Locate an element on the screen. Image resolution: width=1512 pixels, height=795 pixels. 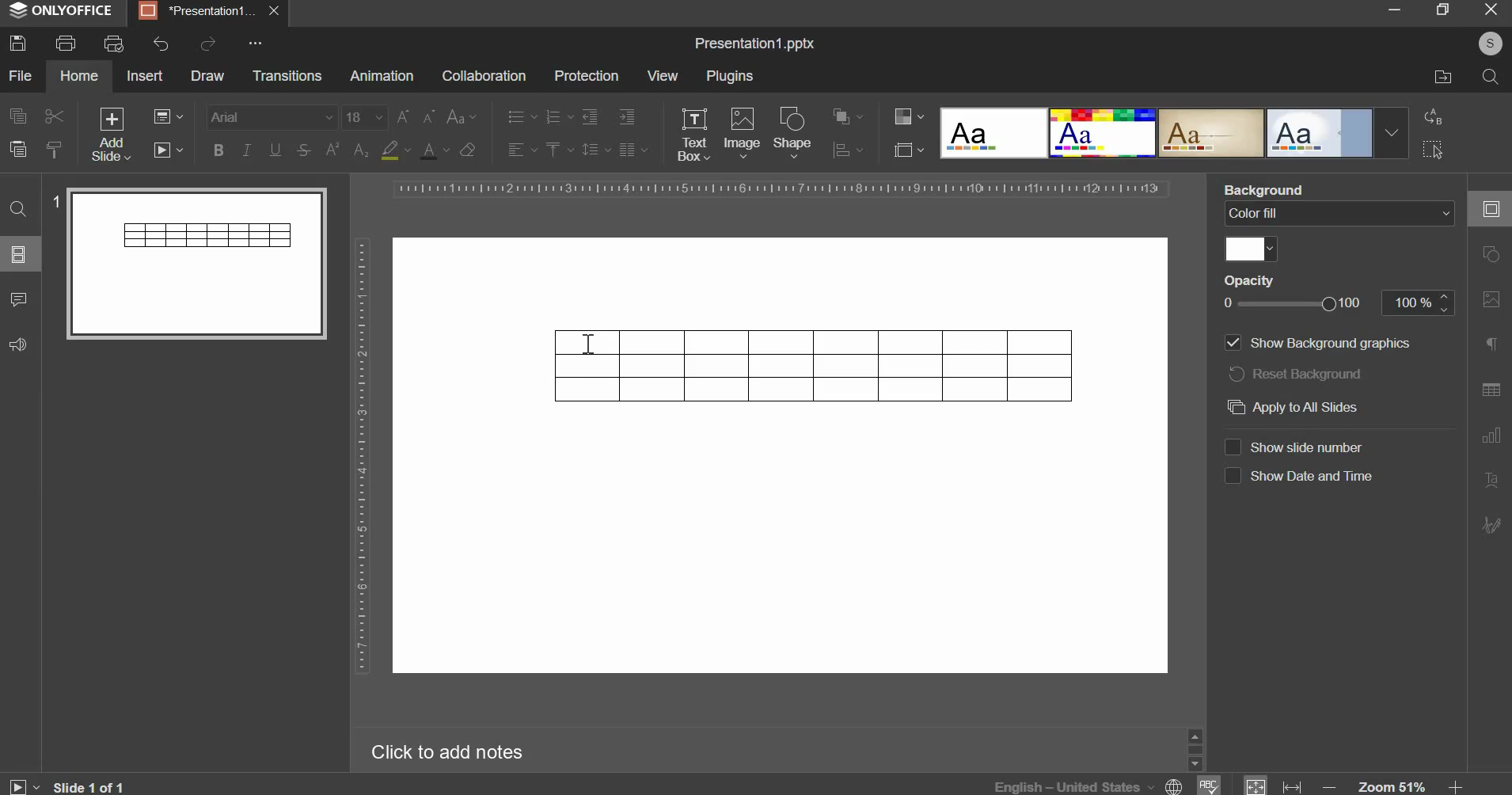
font size is located at coordinates (389, 117).